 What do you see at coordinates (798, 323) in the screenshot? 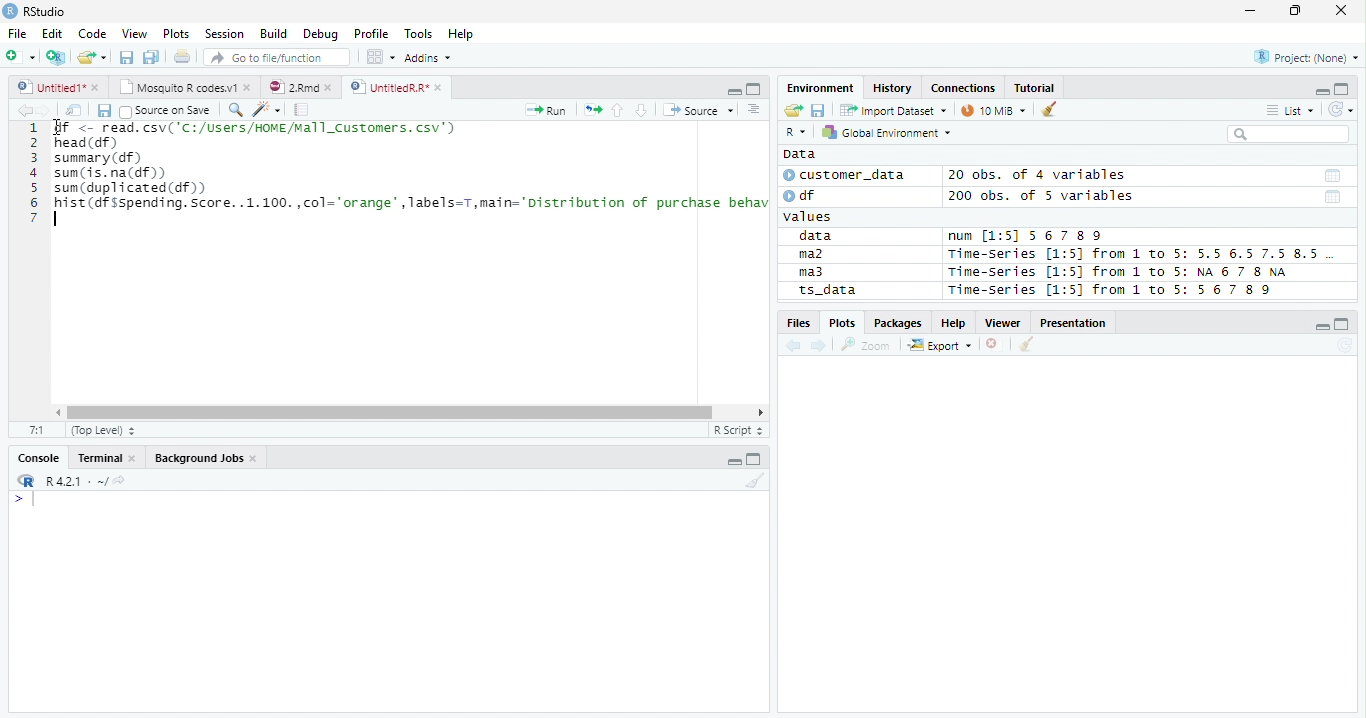
I see `Files` at bounding box center [798, 323].